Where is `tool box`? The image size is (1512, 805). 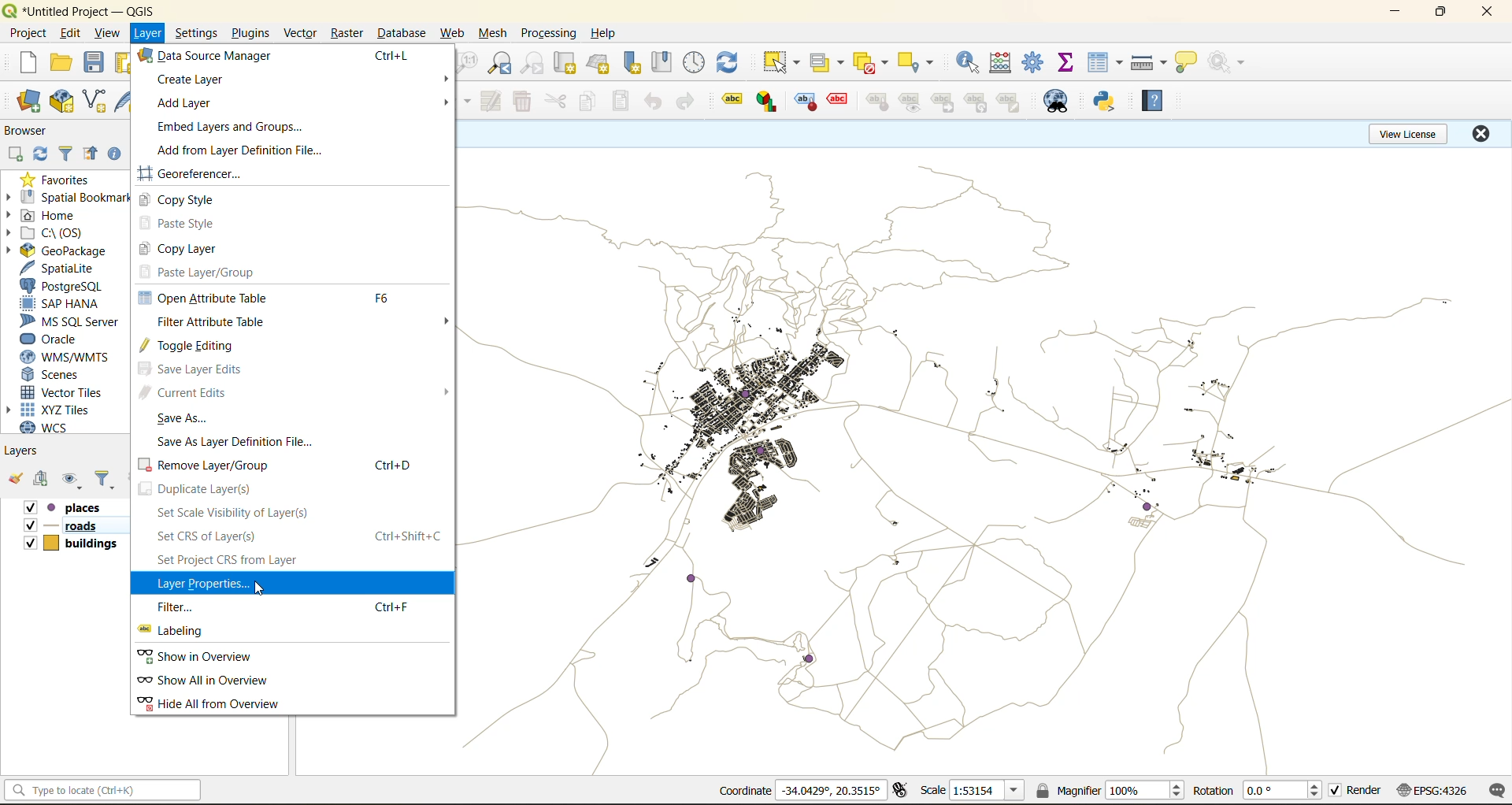 tool box is located at coordinates (1037, 62).